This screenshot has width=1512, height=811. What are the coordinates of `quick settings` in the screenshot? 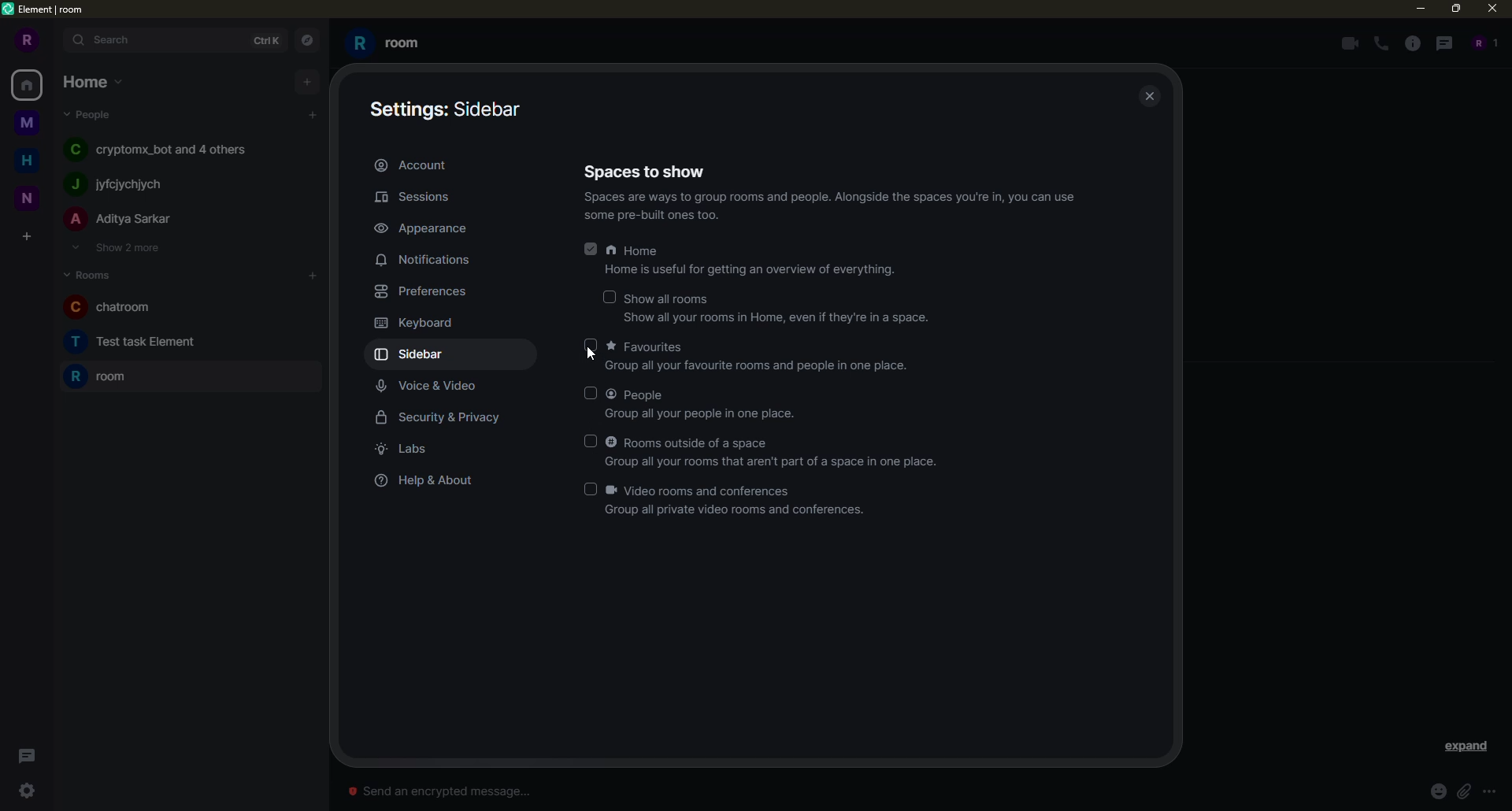 It's located at (29, 791).